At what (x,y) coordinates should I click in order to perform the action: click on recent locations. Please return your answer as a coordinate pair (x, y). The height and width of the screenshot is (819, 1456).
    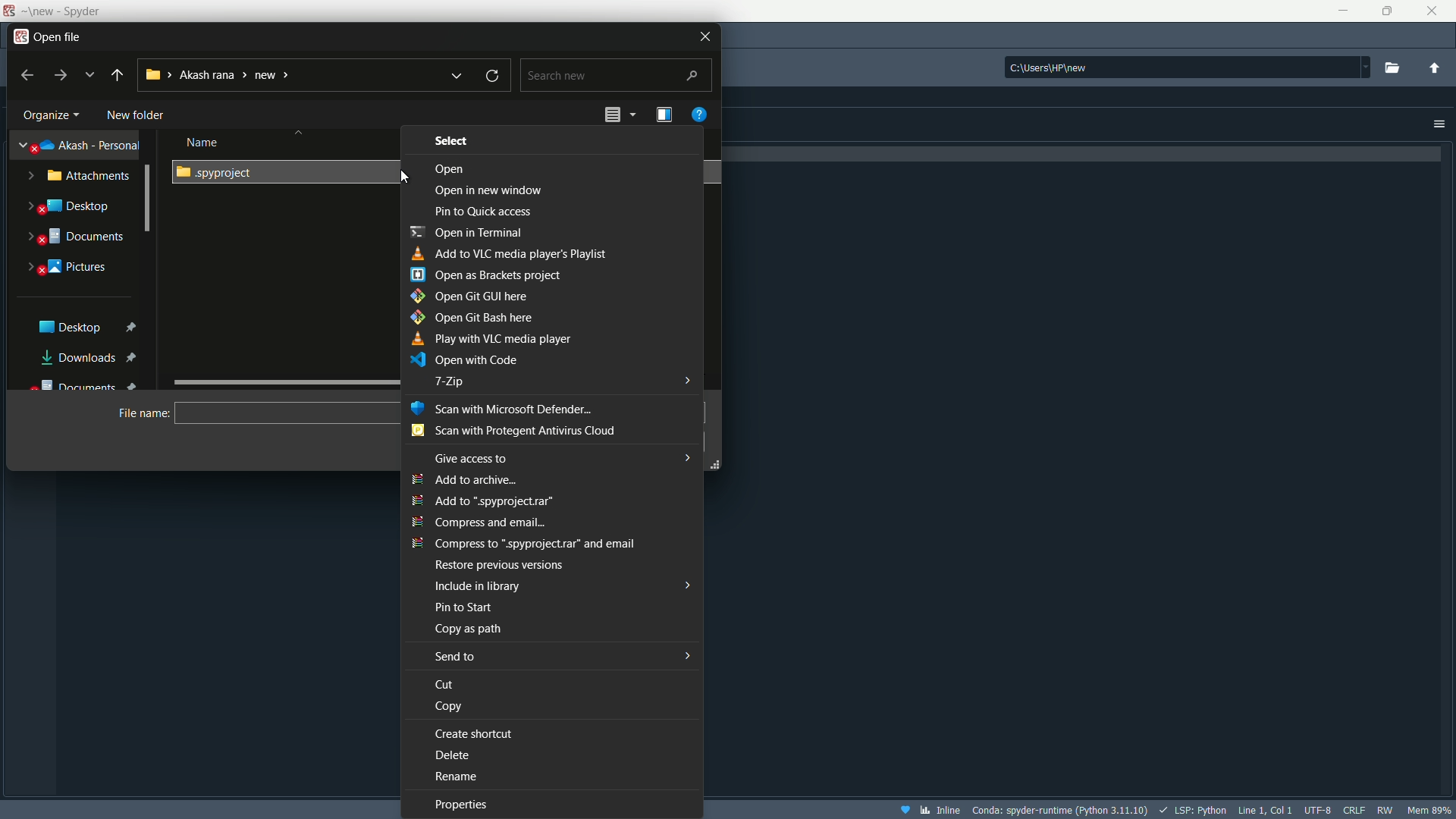
    Looking at the image, I should click on (89, 77).